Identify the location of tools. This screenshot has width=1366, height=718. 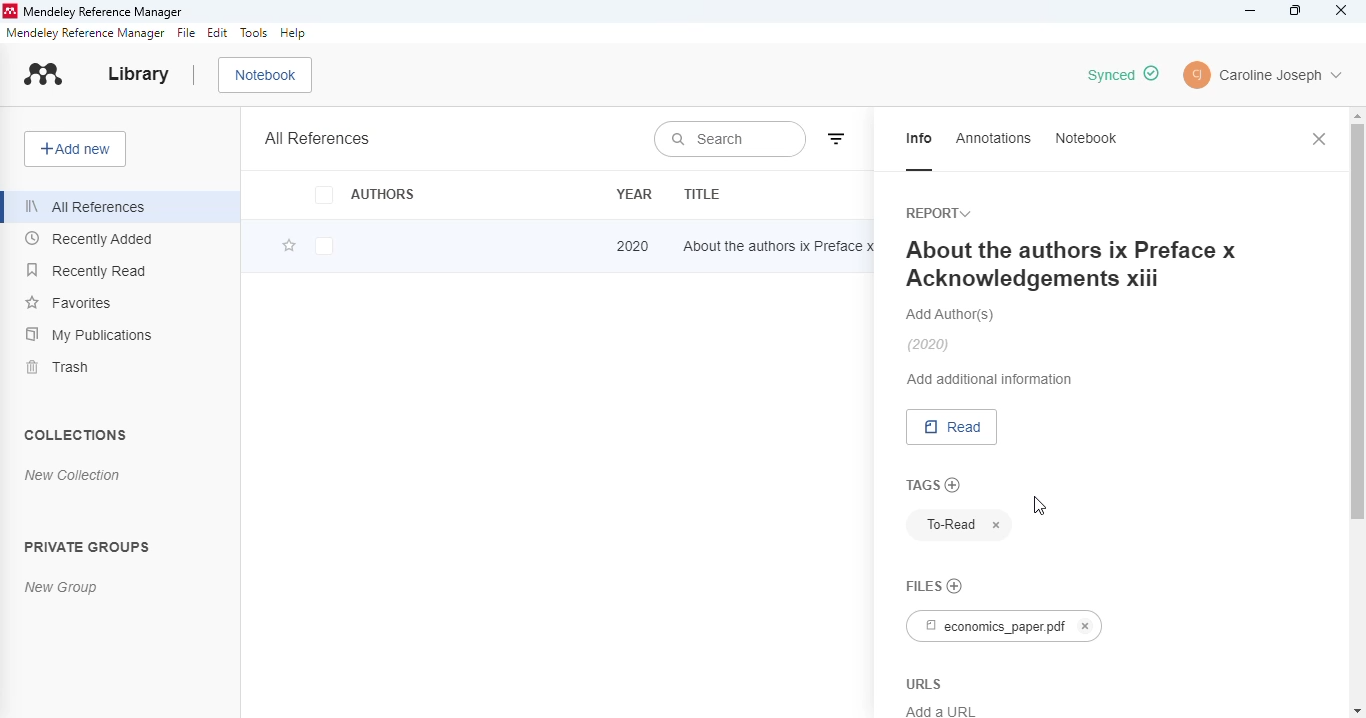
(254, 33).